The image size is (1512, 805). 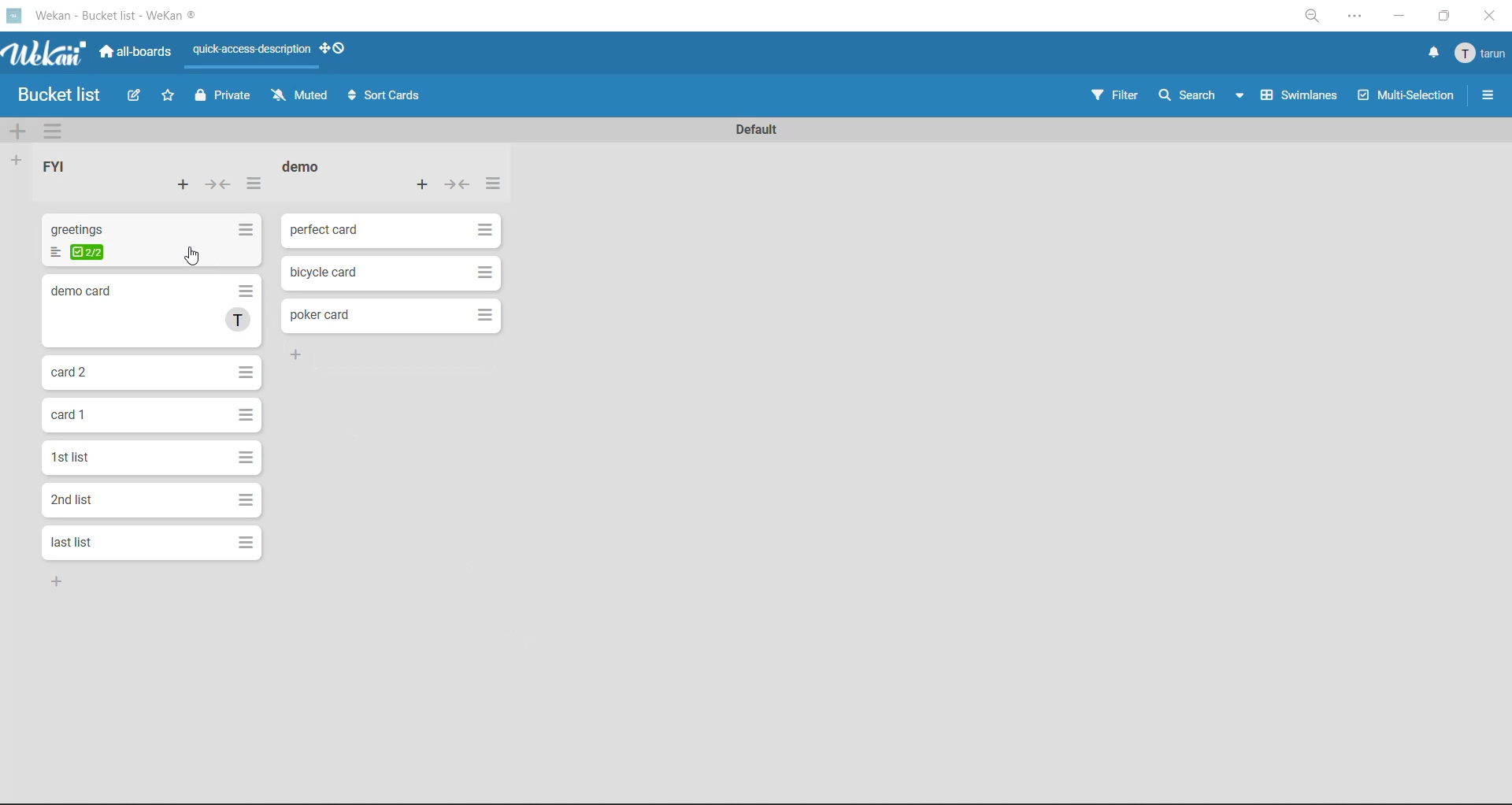 I want to click on swimlane title, so click(x=756, y=131).